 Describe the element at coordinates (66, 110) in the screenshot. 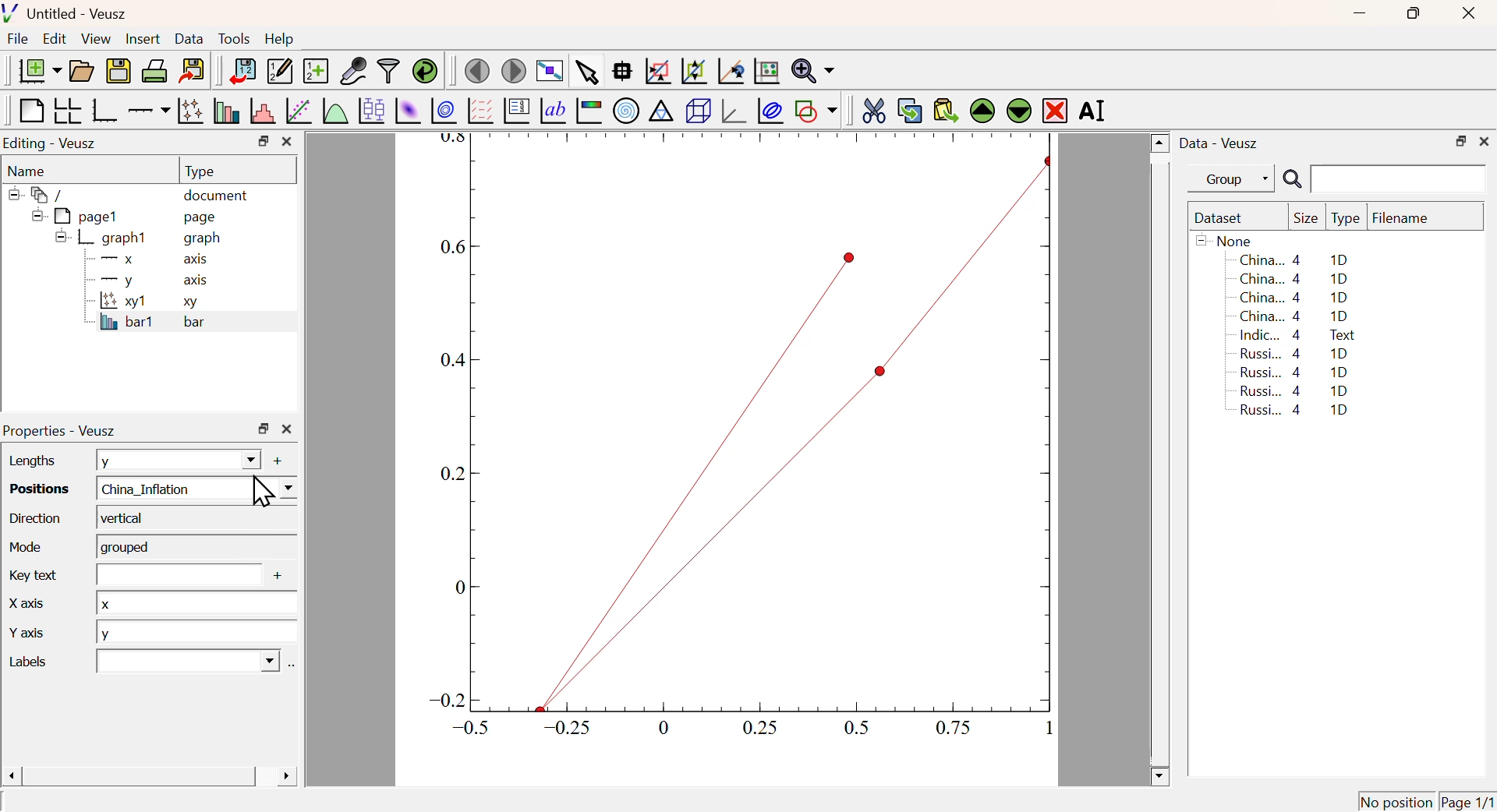

I see `Arrange graph in grid` at that location.